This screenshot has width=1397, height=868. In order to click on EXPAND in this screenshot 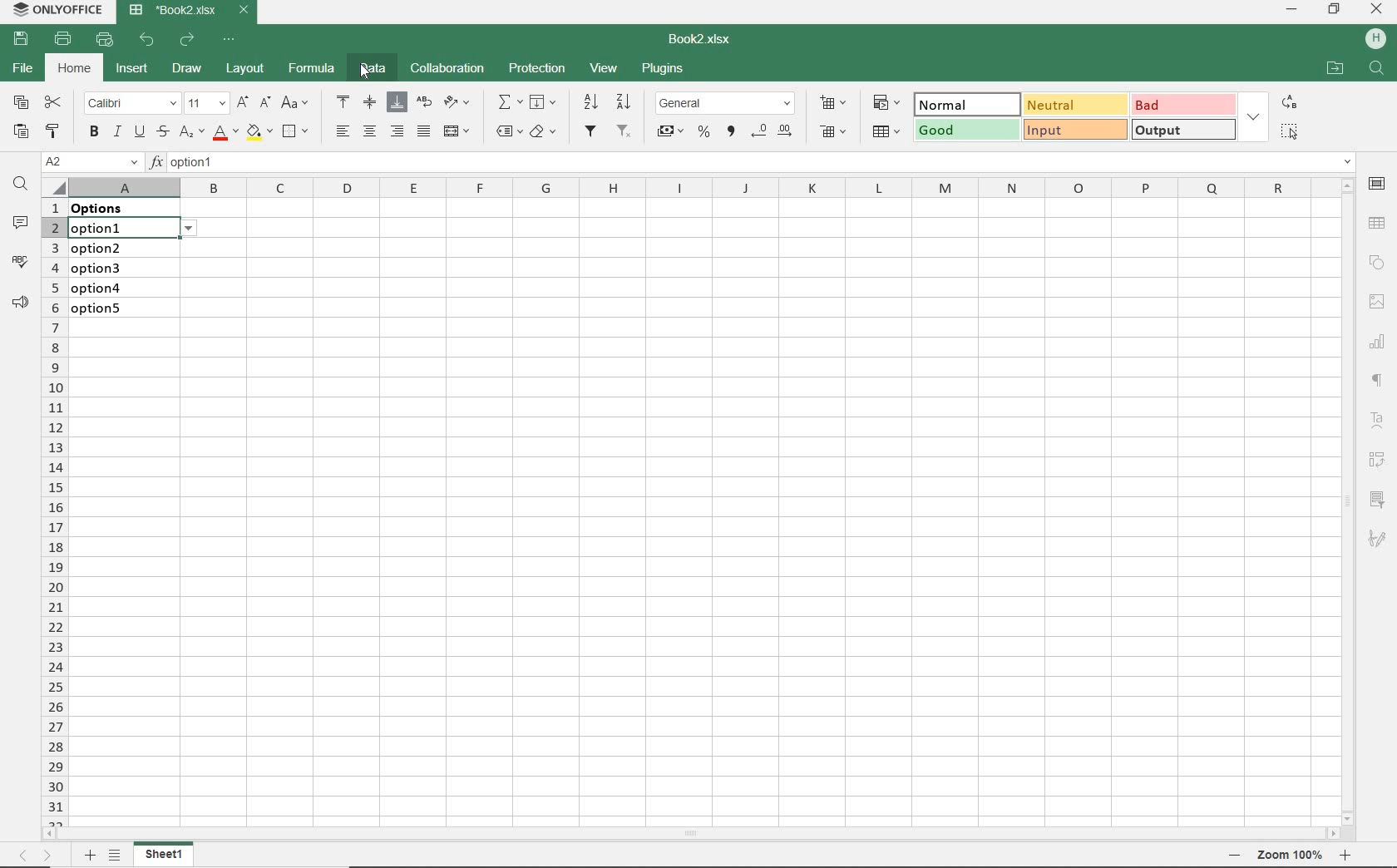, I will do `click(1255, 118)`.